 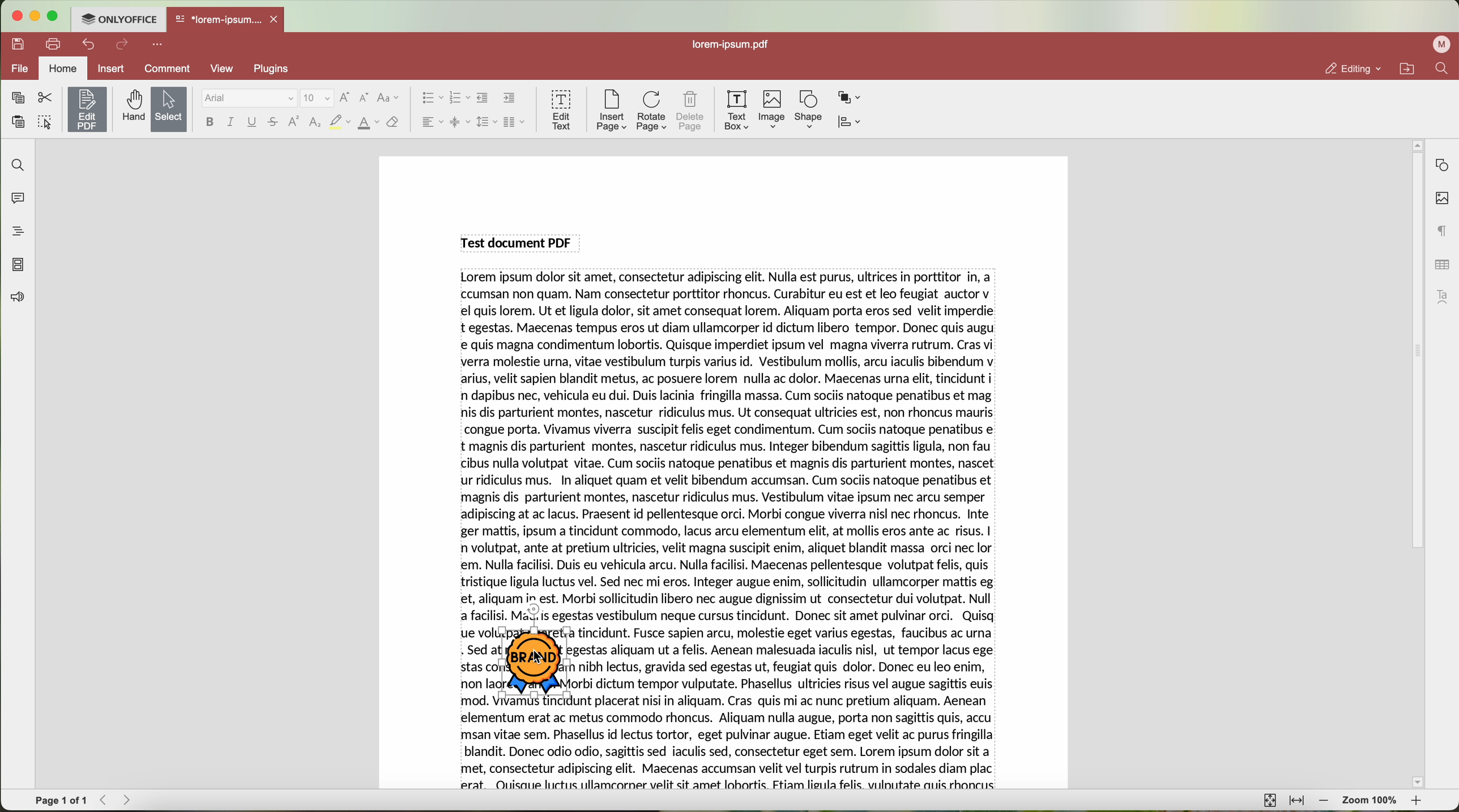 What do you see at coordinates (487, 122) in the screenshot?
I see `line spacing` at bounding box center [487, 122].